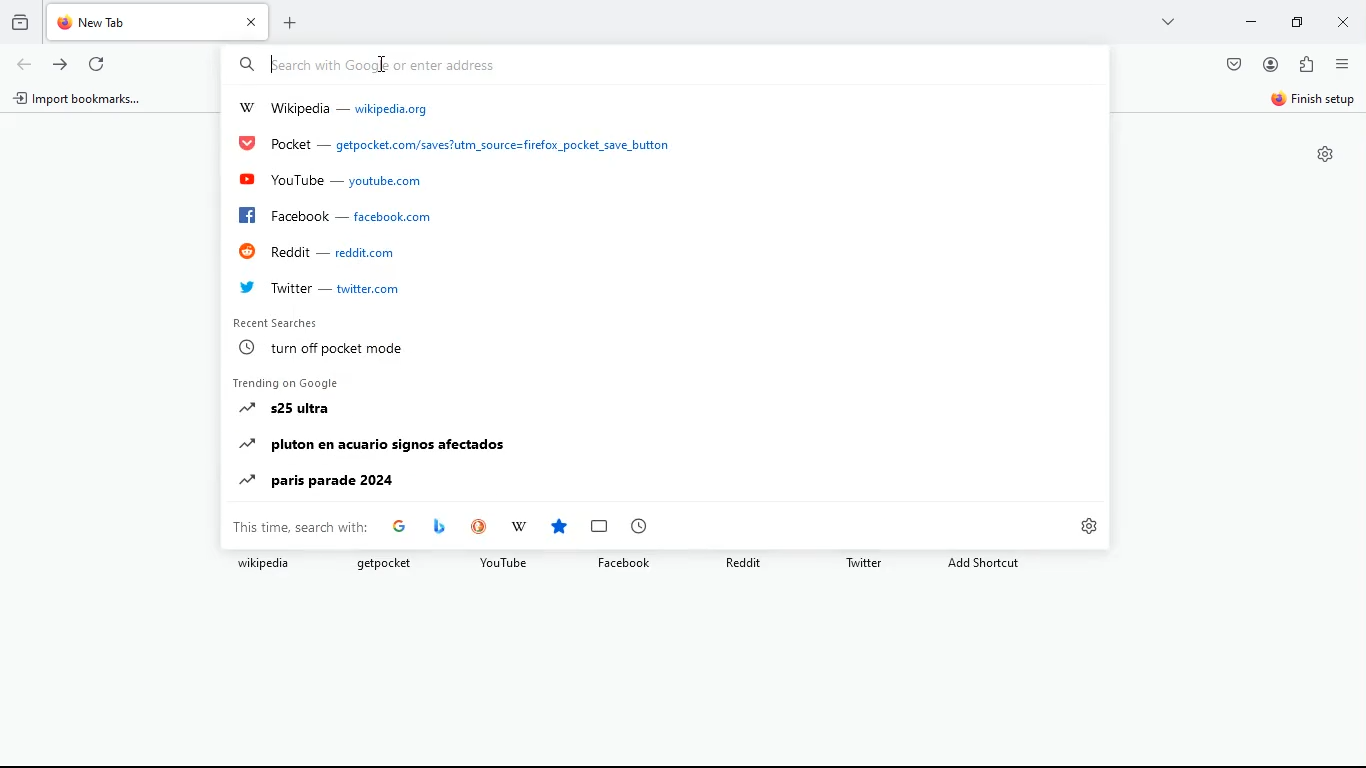 This screenshot has width=1366, height=768. Describe the element at coordinates (314, 251) in the screenshot. I see `© Reddit — reddit.com` at that location.